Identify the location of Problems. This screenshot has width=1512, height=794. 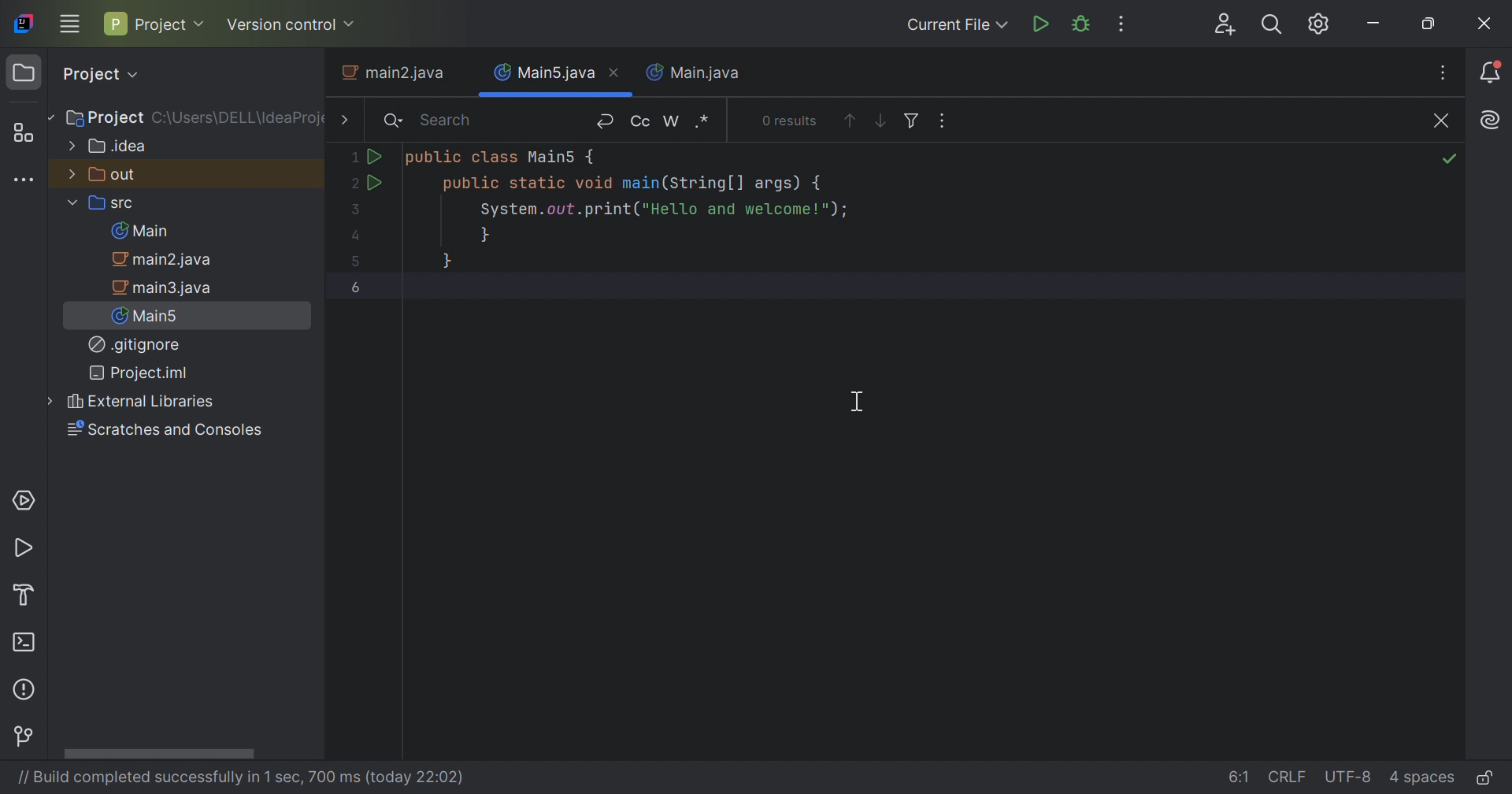
(27, 688).